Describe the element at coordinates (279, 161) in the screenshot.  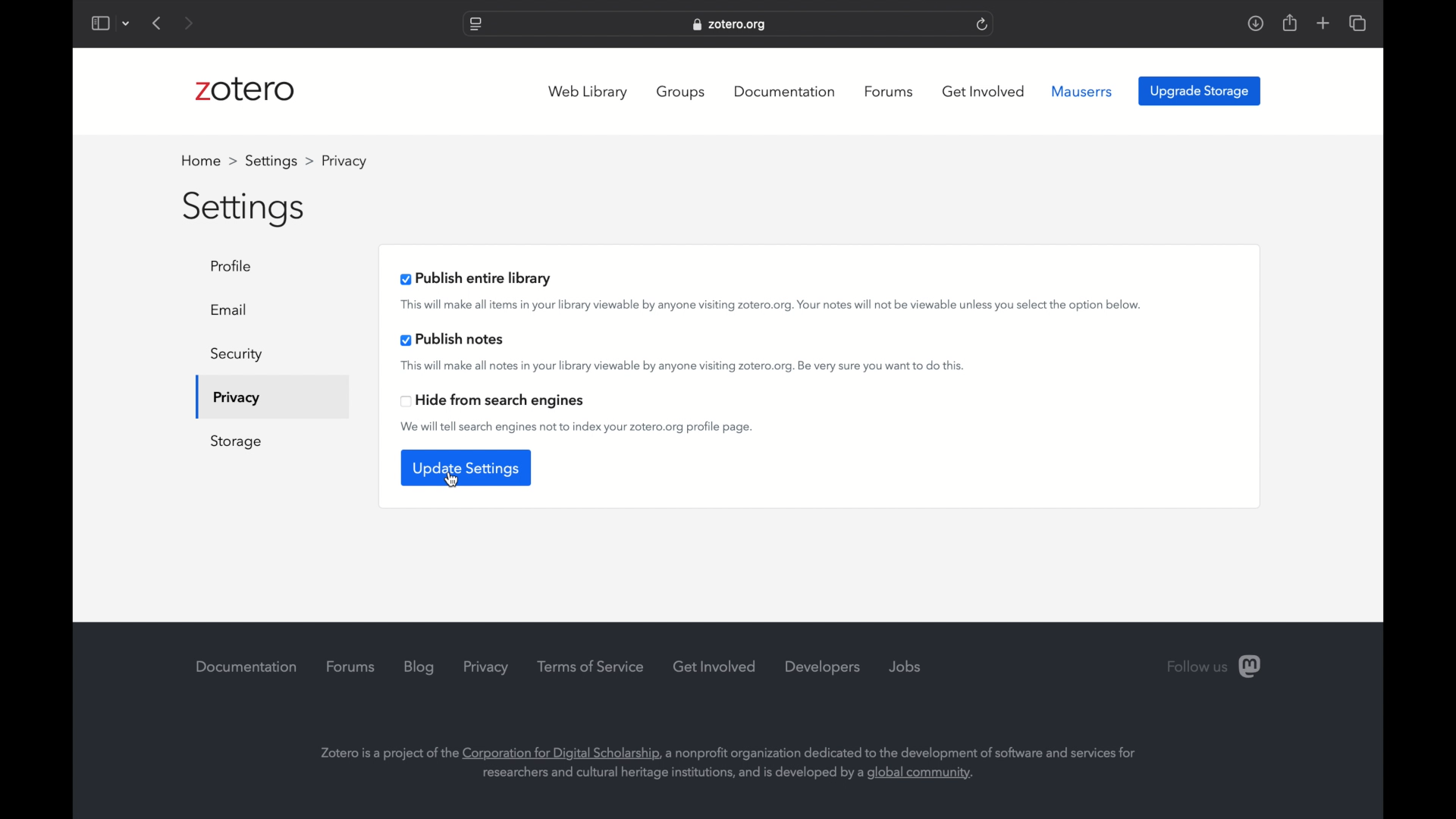
I see `settings` at that location.